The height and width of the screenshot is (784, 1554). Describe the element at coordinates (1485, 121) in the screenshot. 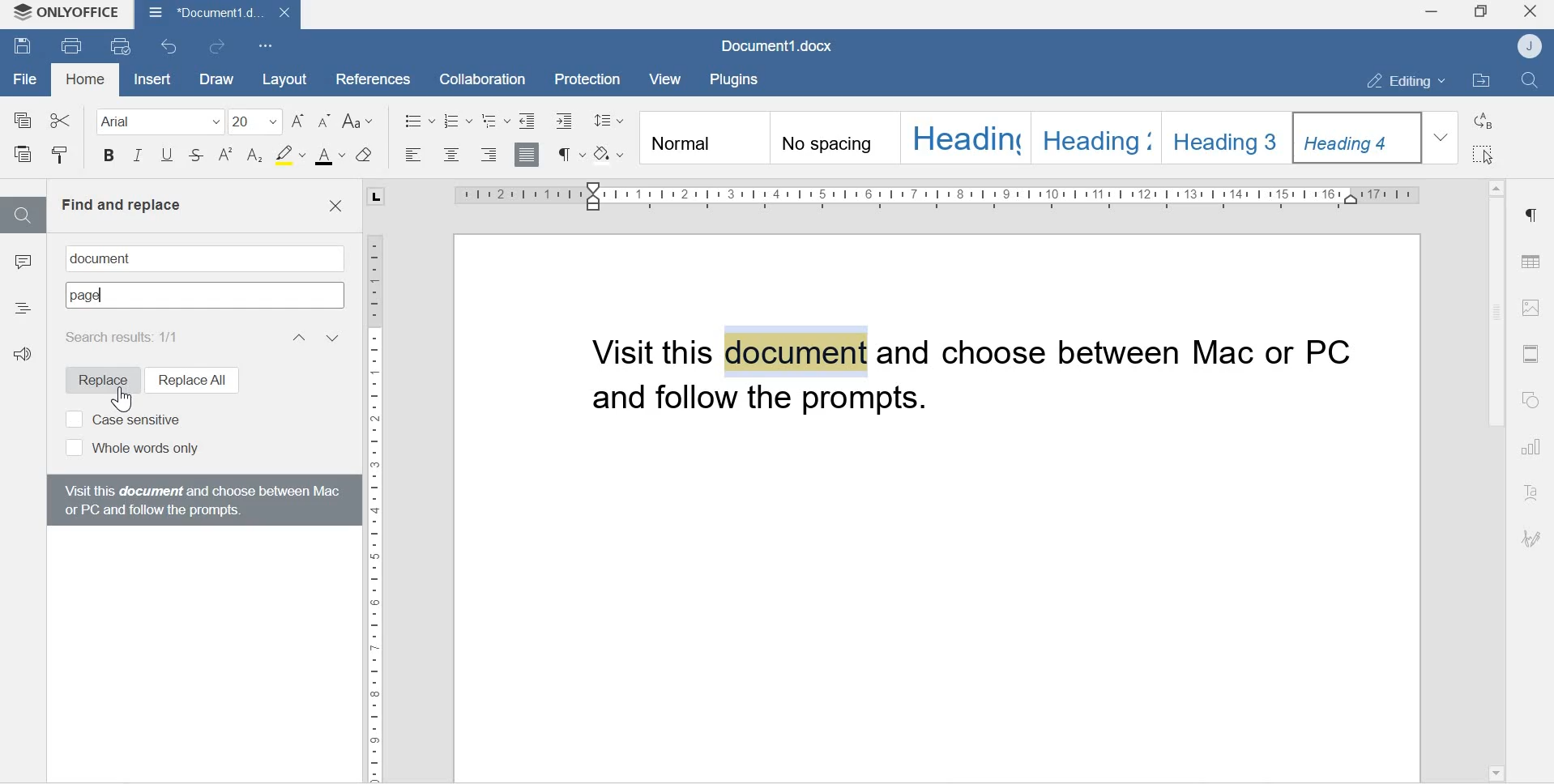

I see `Replace` at that location.